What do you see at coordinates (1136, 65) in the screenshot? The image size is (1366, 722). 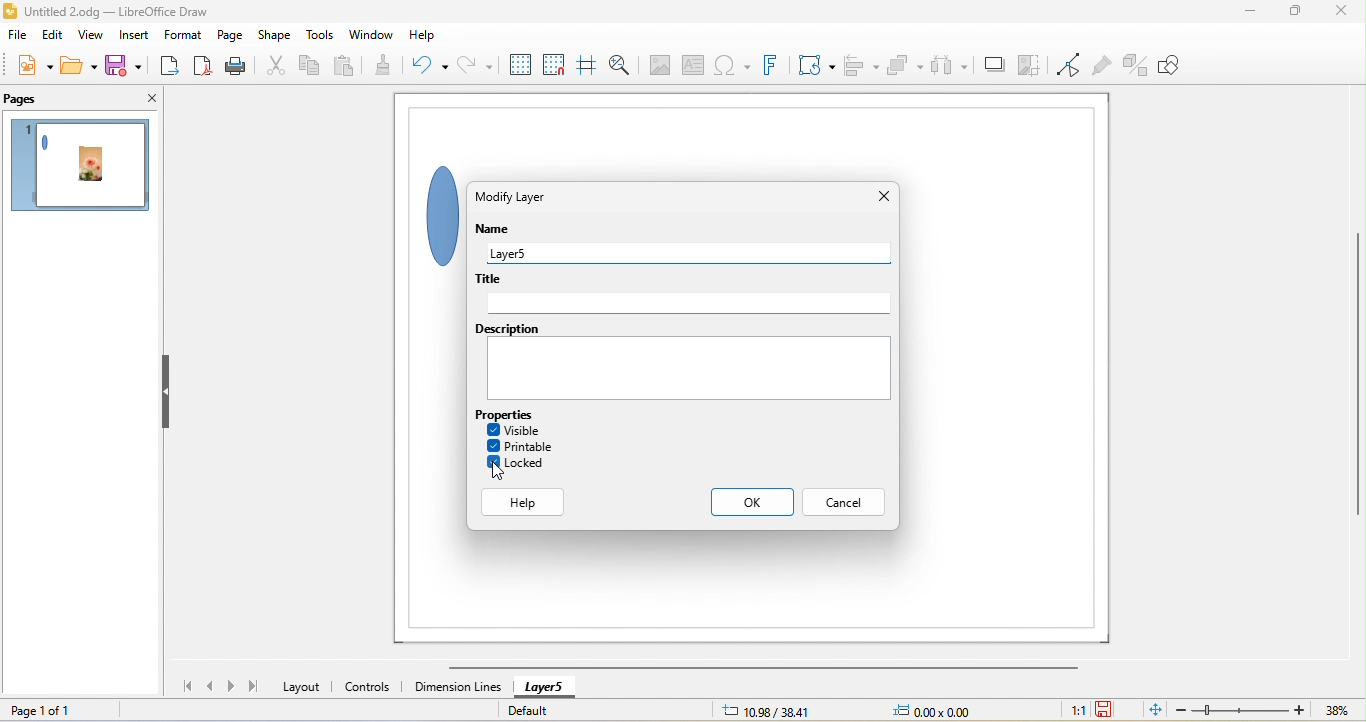 I see `toggle extruision` at bounding box center [1136, 65].